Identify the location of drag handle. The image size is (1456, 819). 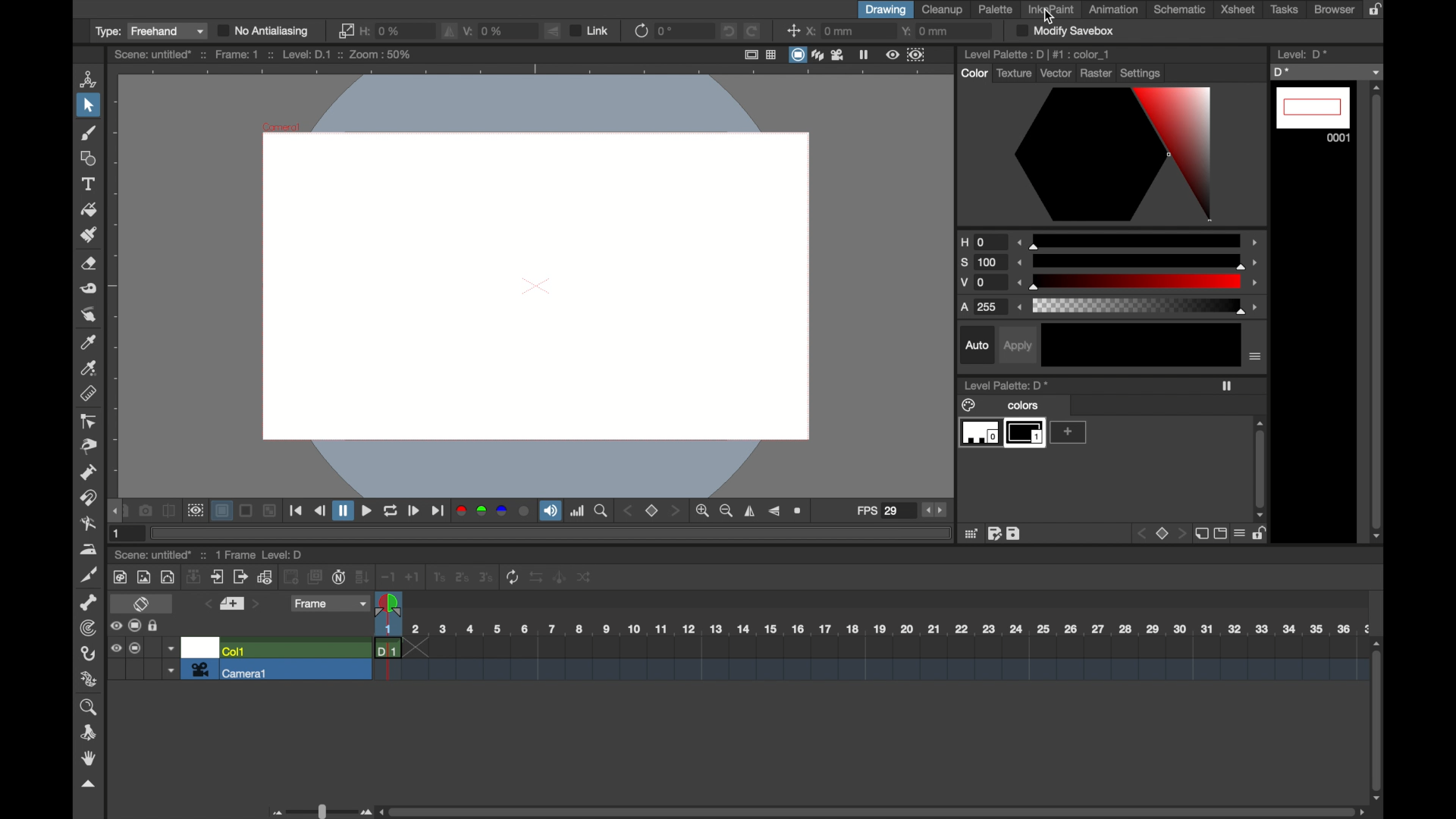
(90, 785).